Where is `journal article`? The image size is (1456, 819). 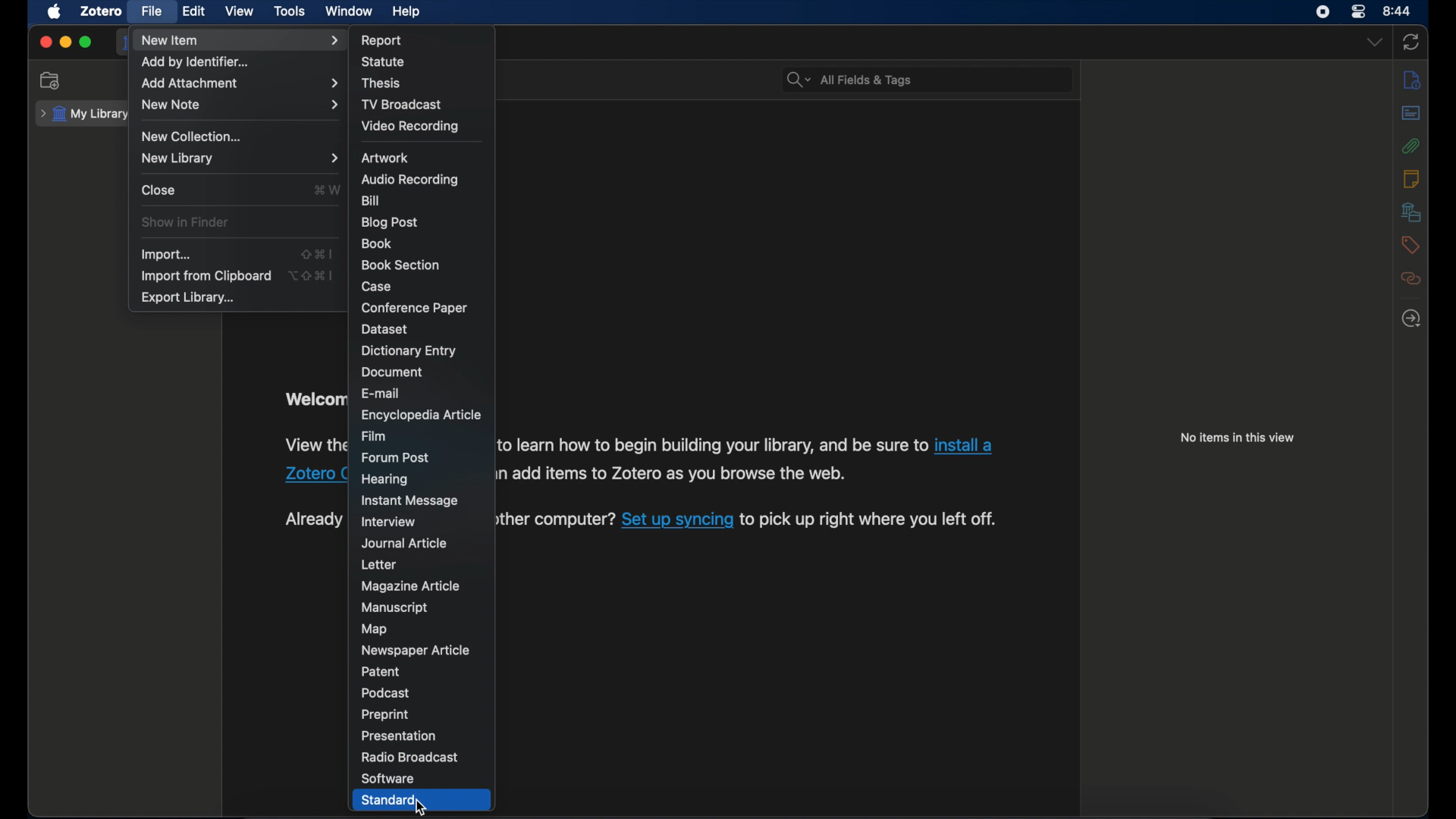 journal article is located at coordinates (404, 543).